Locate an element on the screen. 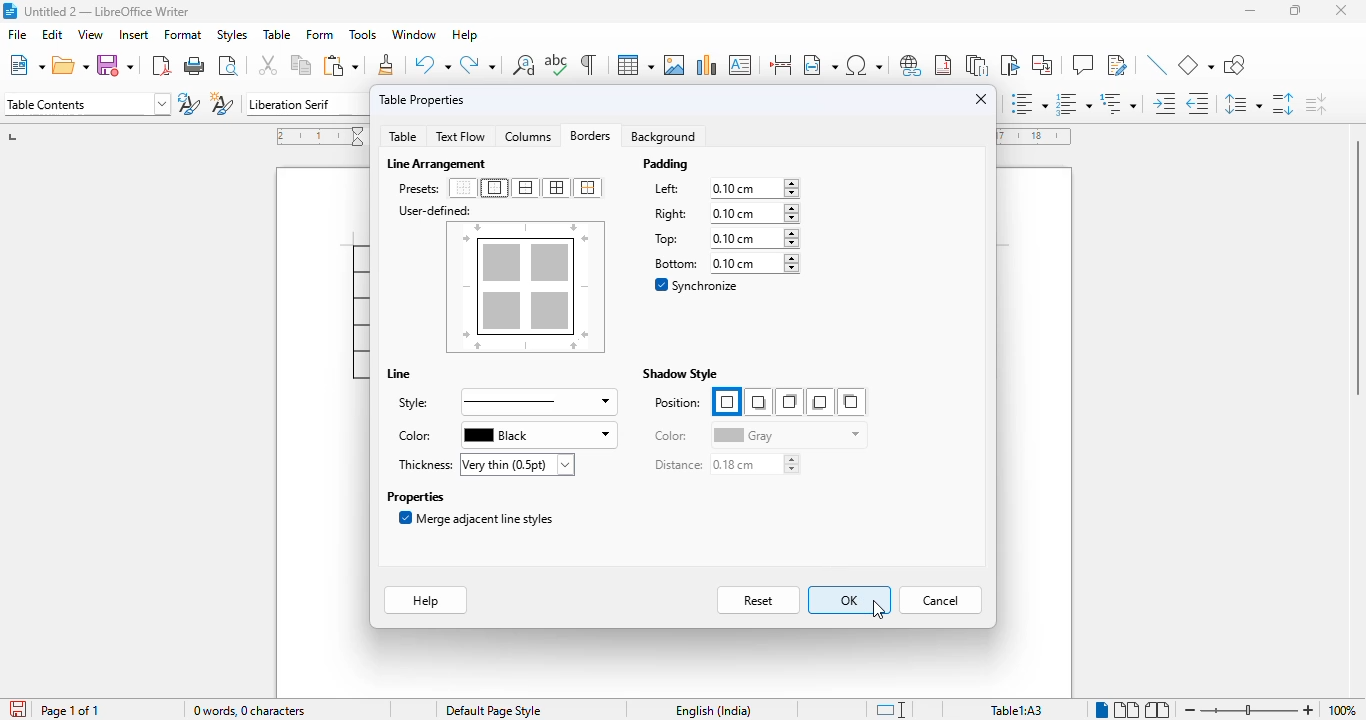  insert line is located at coordinates (1158, 64).